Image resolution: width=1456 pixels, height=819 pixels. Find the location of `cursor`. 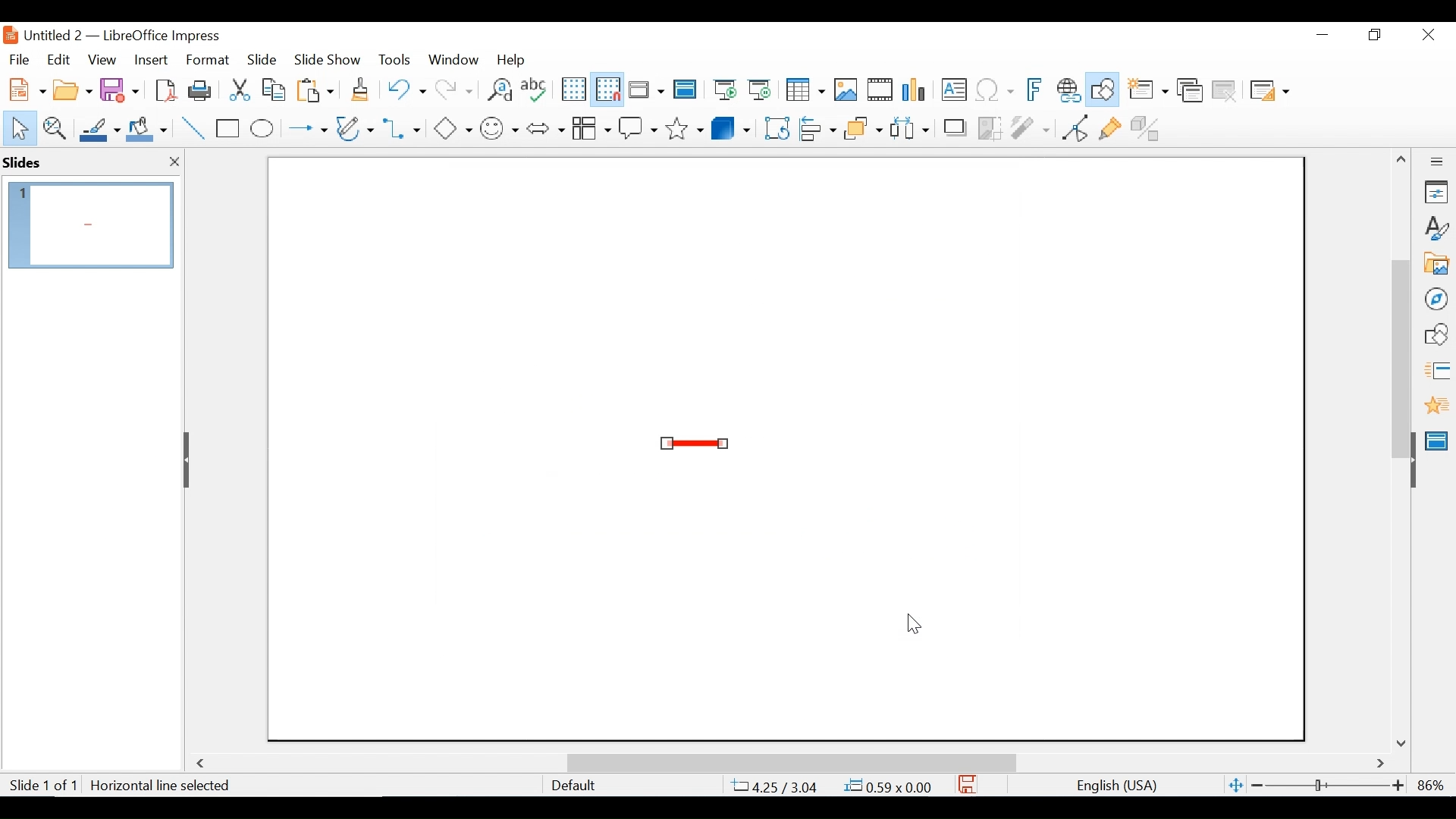

cursor is located at coordinates (915, 624).